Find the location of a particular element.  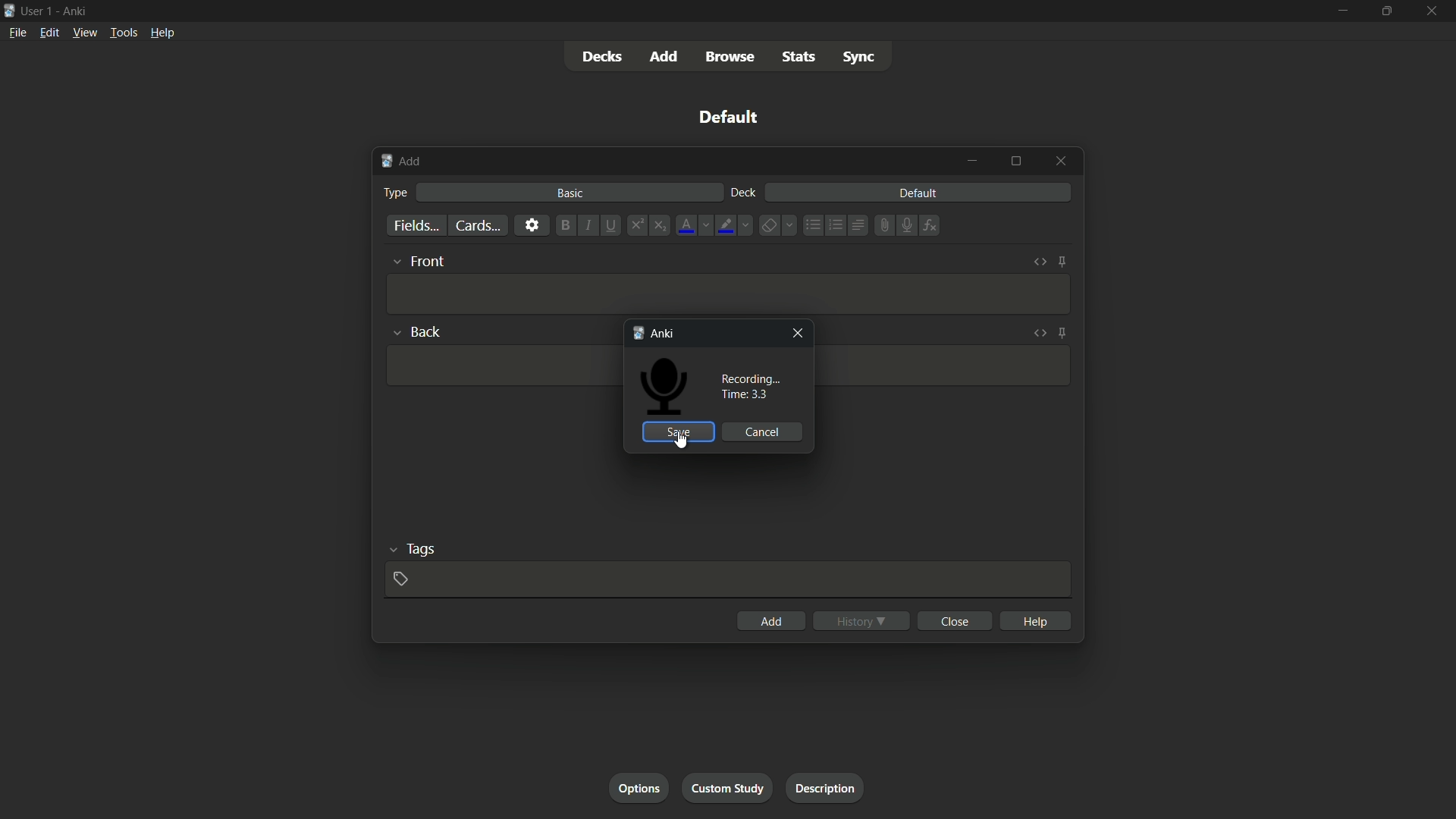

bold is located at coordinates (563, 225).